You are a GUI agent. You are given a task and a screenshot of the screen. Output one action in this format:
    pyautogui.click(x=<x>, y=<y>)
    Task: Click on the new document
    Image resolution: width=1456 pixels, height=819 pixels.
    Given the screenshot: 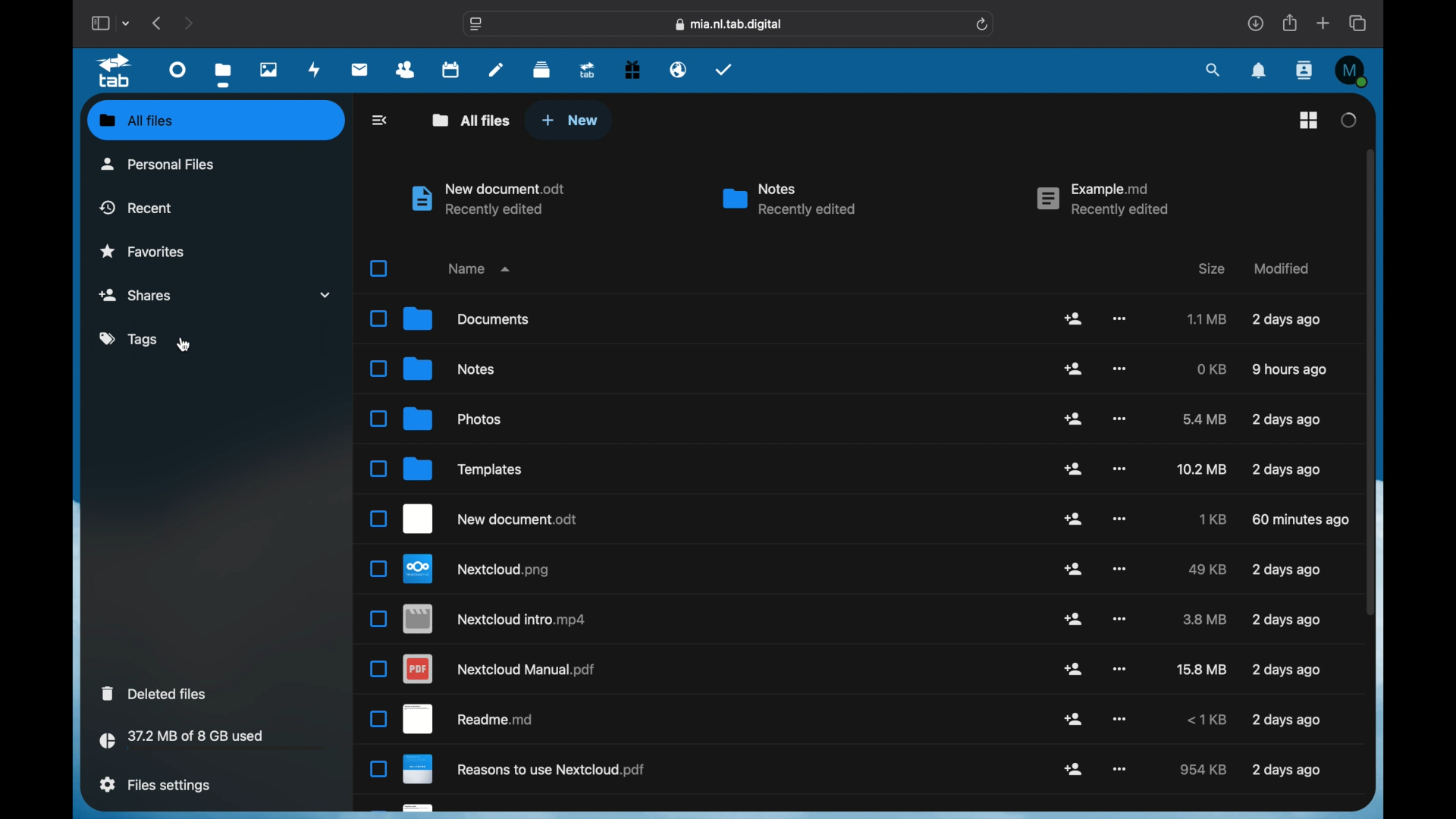 What is the action you would take?
    pyautogui.click(x=490, y=199)
    